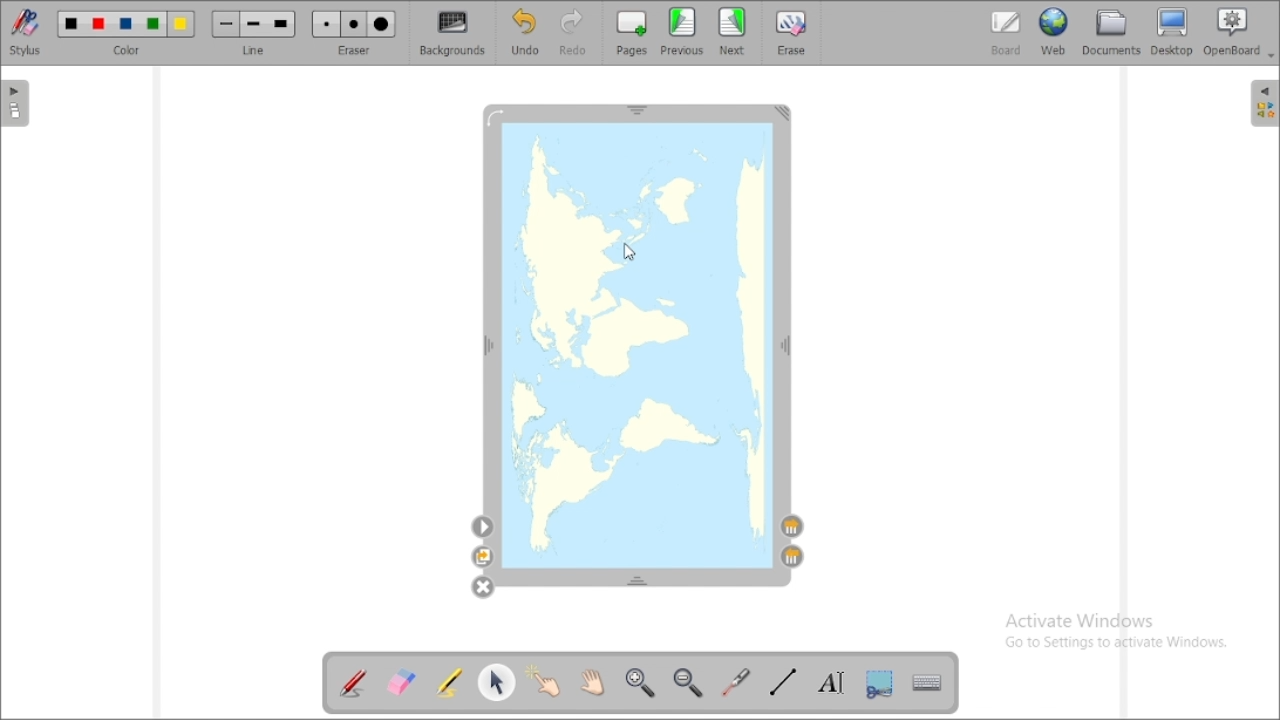 The height and width of the screenshot is (720, 1280). Describe the element at coordinates (1111, 33) in the screenshot. I see `documents` at that location.